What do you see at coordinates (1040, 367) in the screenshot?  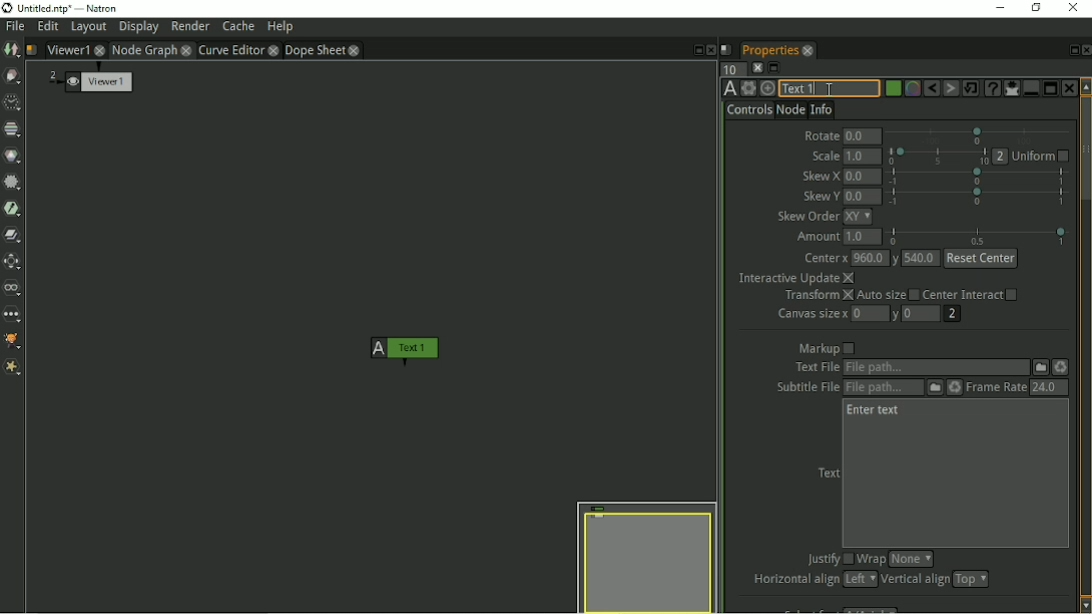 I see `File` at bounding box center [1040, 367].